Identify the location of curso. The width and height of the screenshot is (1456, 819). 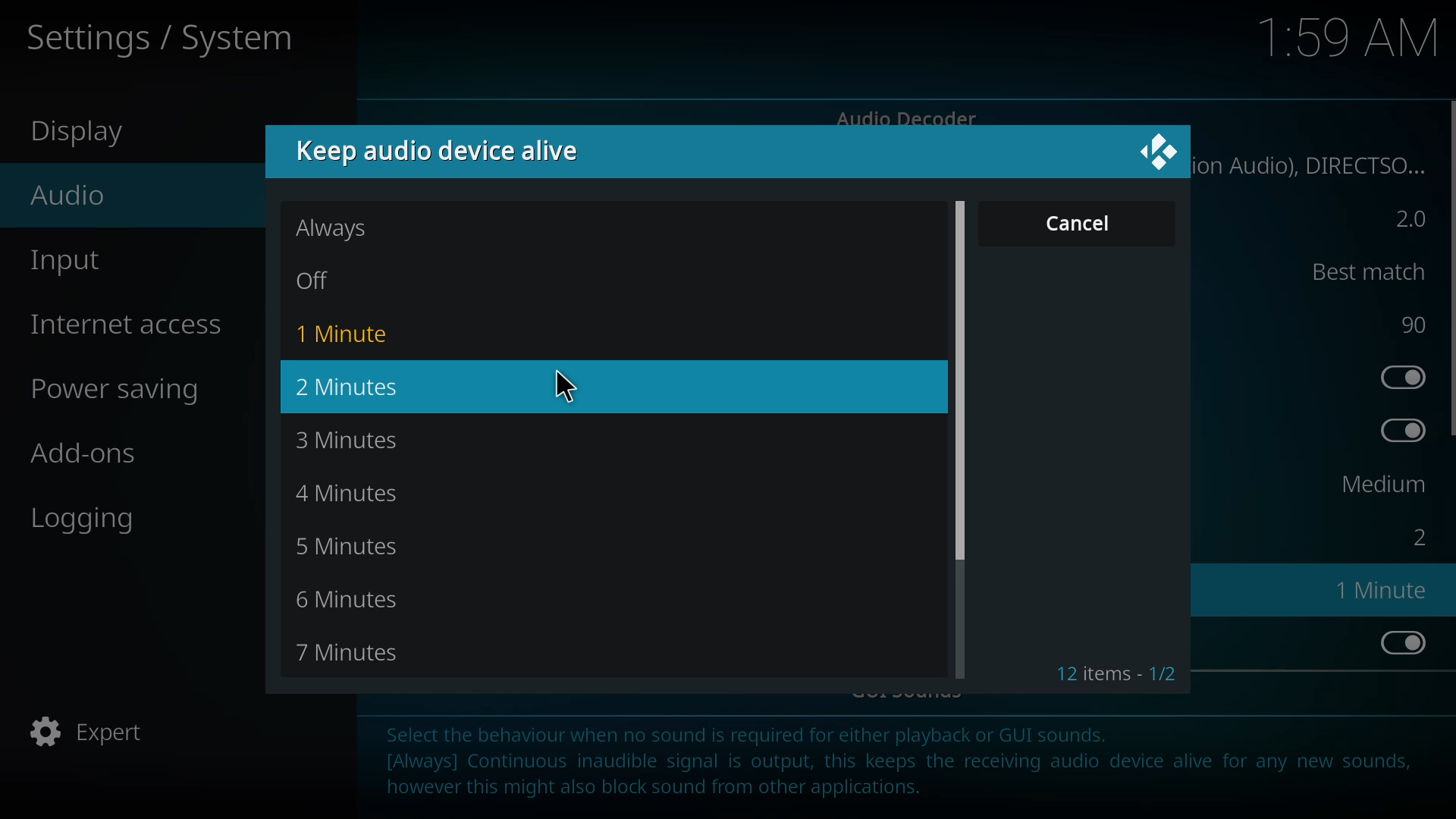
(566, 384).